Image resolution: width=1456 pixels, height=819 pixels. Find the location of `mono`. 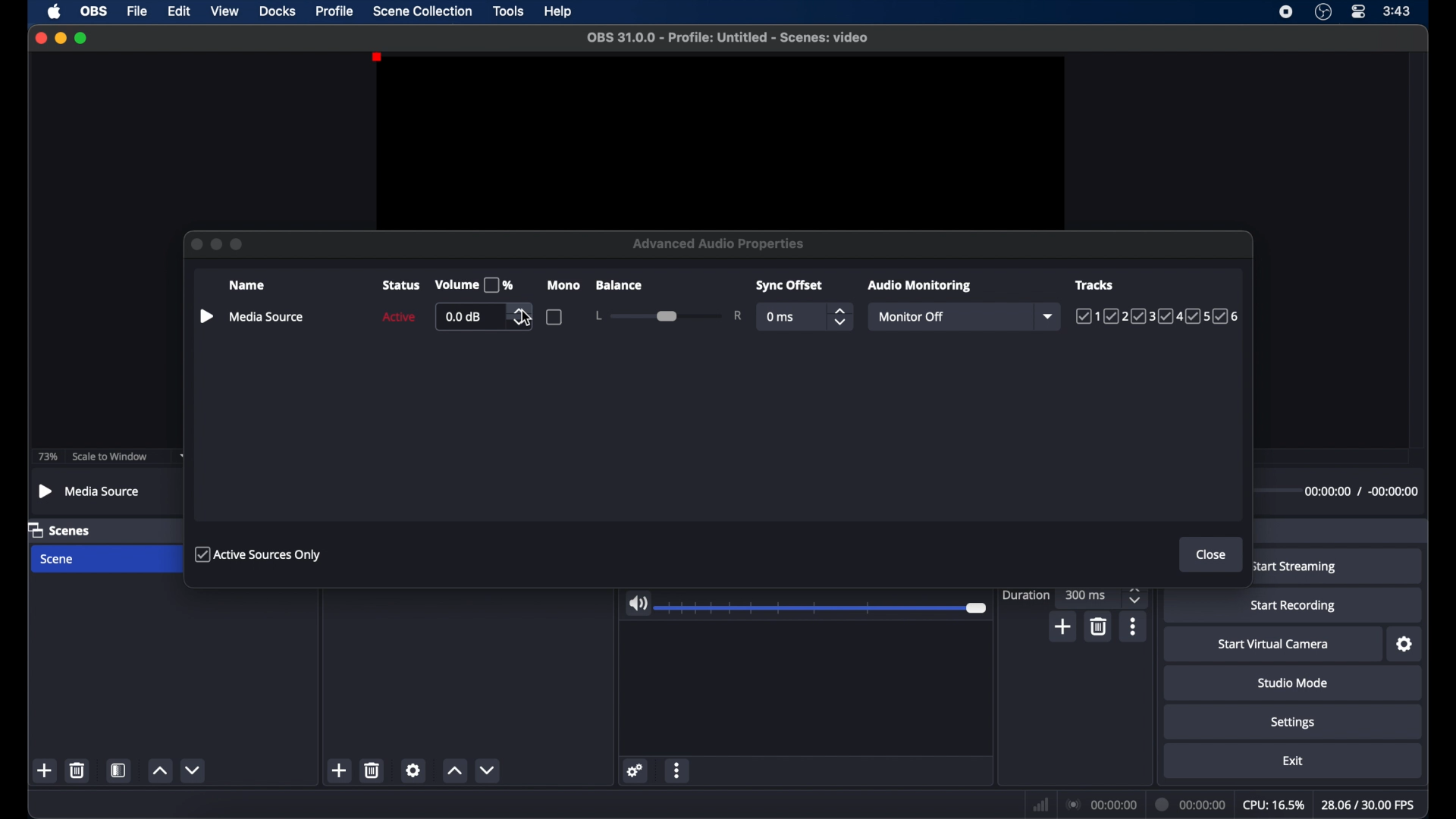

mono is located at coordinates (563, 285).